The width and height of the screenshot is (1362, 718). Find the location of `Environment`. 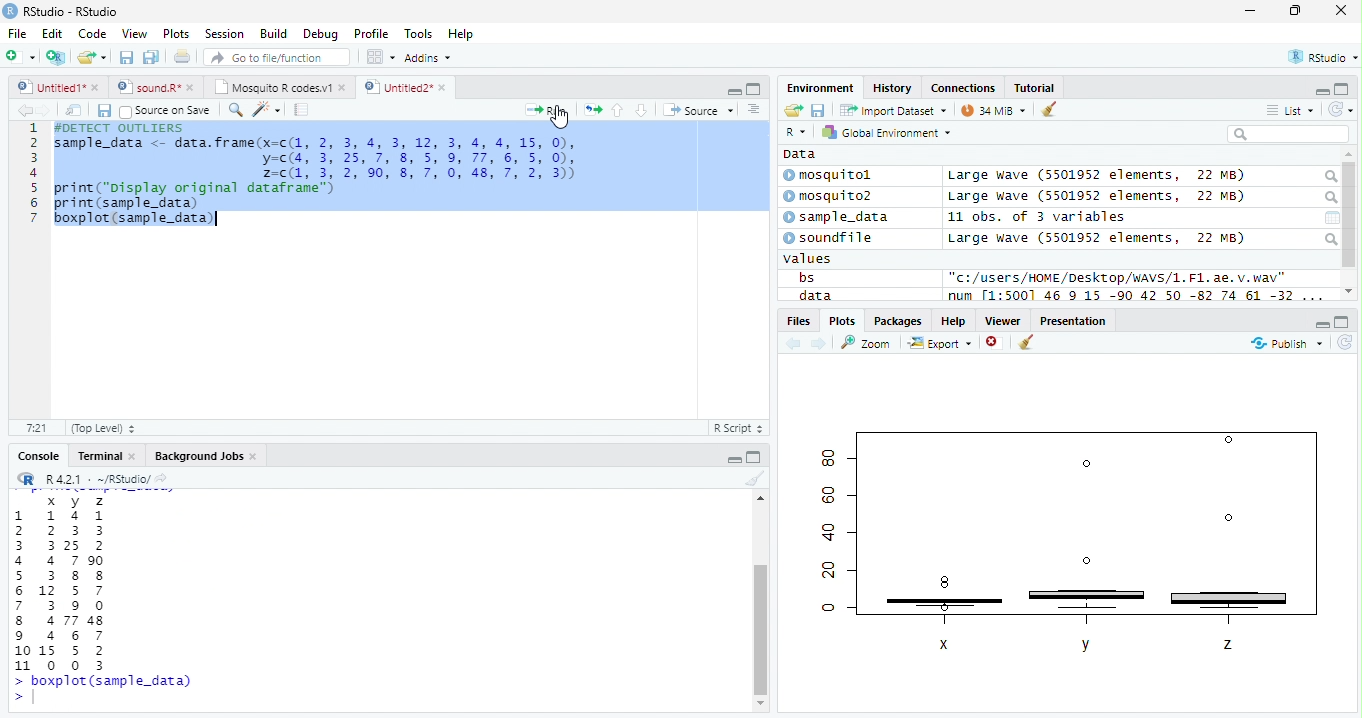

Environment is located at coordinates (821, 88).